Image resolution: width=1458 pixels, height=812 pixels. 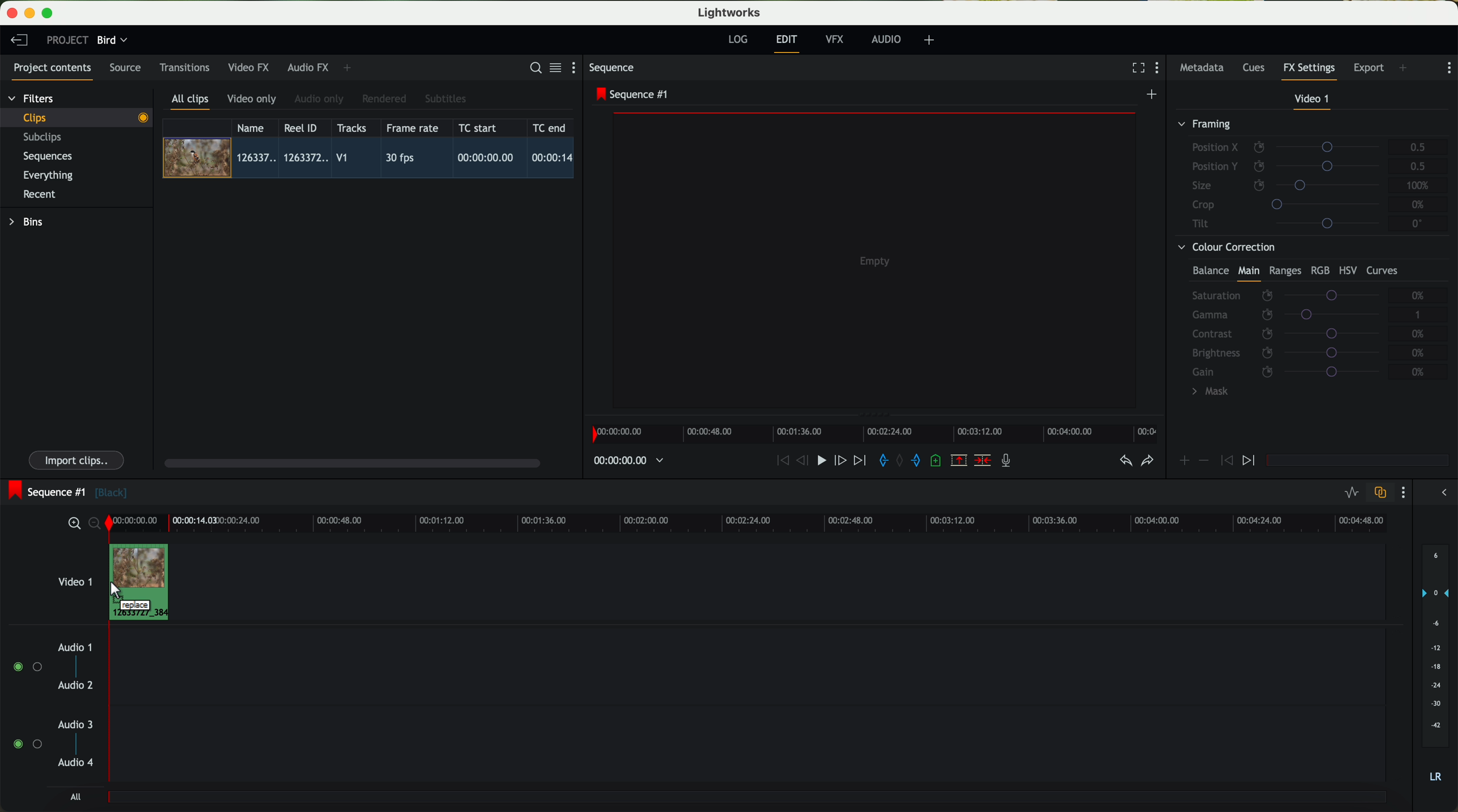 I want to click on leave, so click(x=19, y=41).